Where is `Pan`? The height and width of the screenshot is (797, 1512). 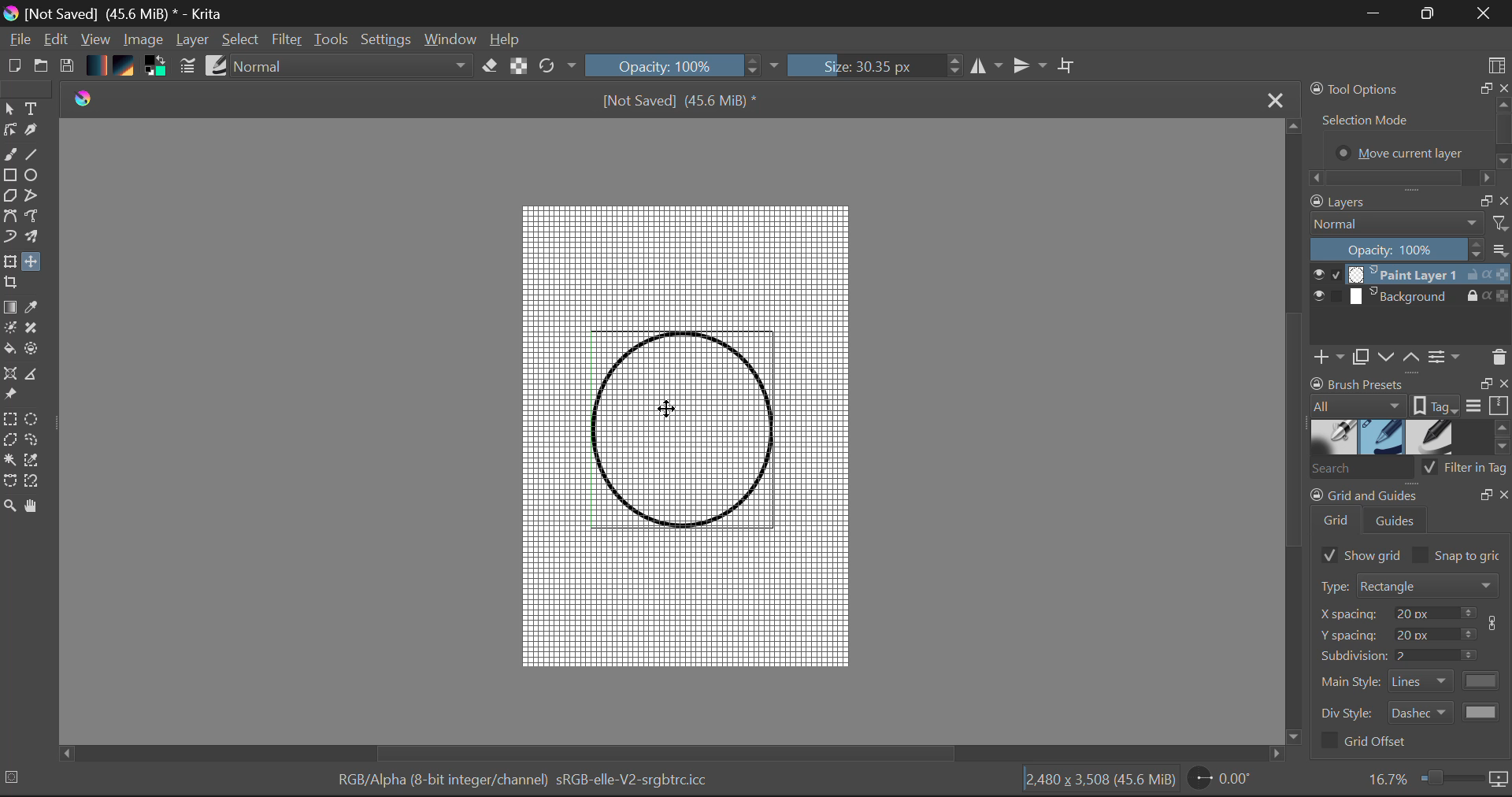 Pan is located at coordinates (35, 506).